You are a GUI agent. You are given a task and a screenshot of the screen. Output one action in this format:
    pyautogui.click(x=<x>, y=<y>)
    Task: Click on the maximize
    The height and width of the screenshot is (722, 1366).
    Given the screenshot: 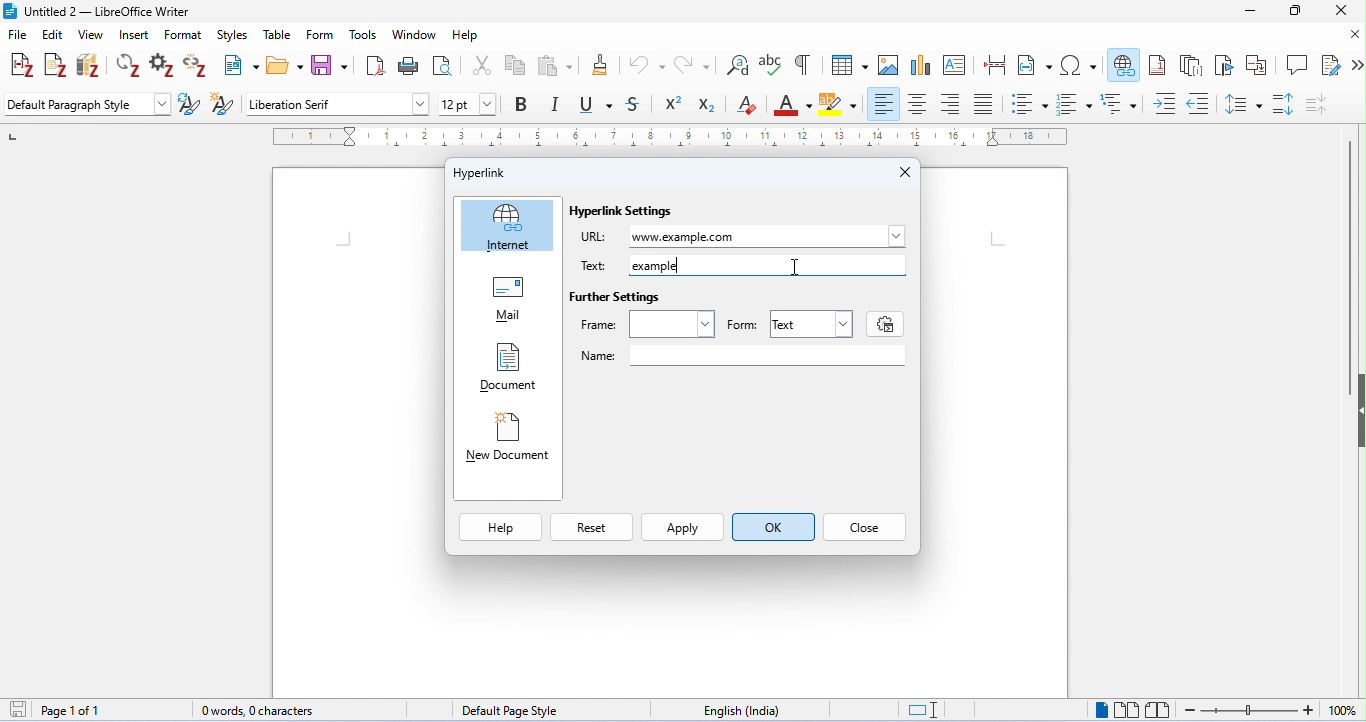 What is the action you would take?
    pyautogui.click(x=1296, y=11)
    